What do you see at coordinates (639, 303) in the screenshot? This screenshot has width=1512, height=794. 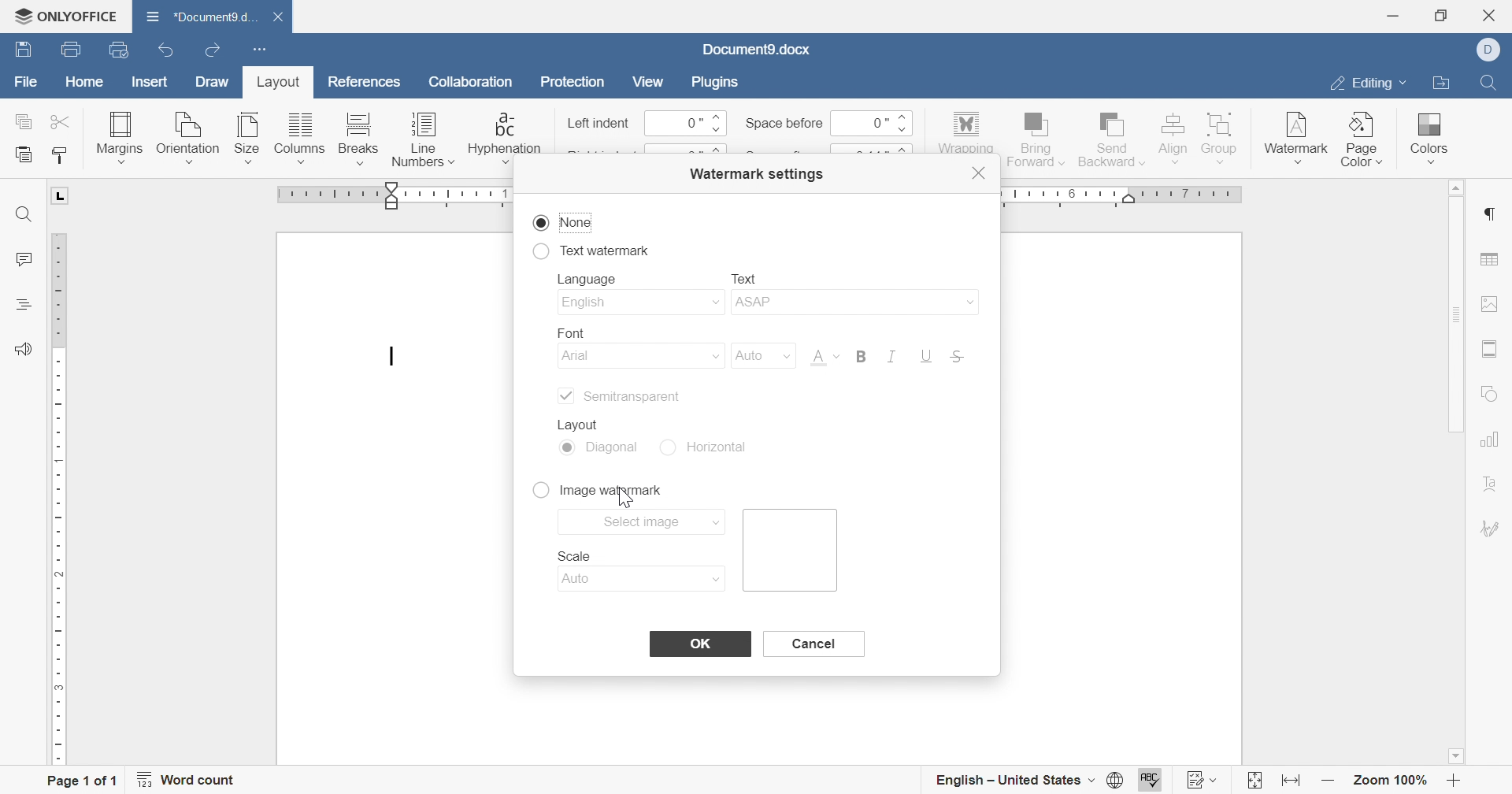 I see `english` at bounding box center [639, 303].